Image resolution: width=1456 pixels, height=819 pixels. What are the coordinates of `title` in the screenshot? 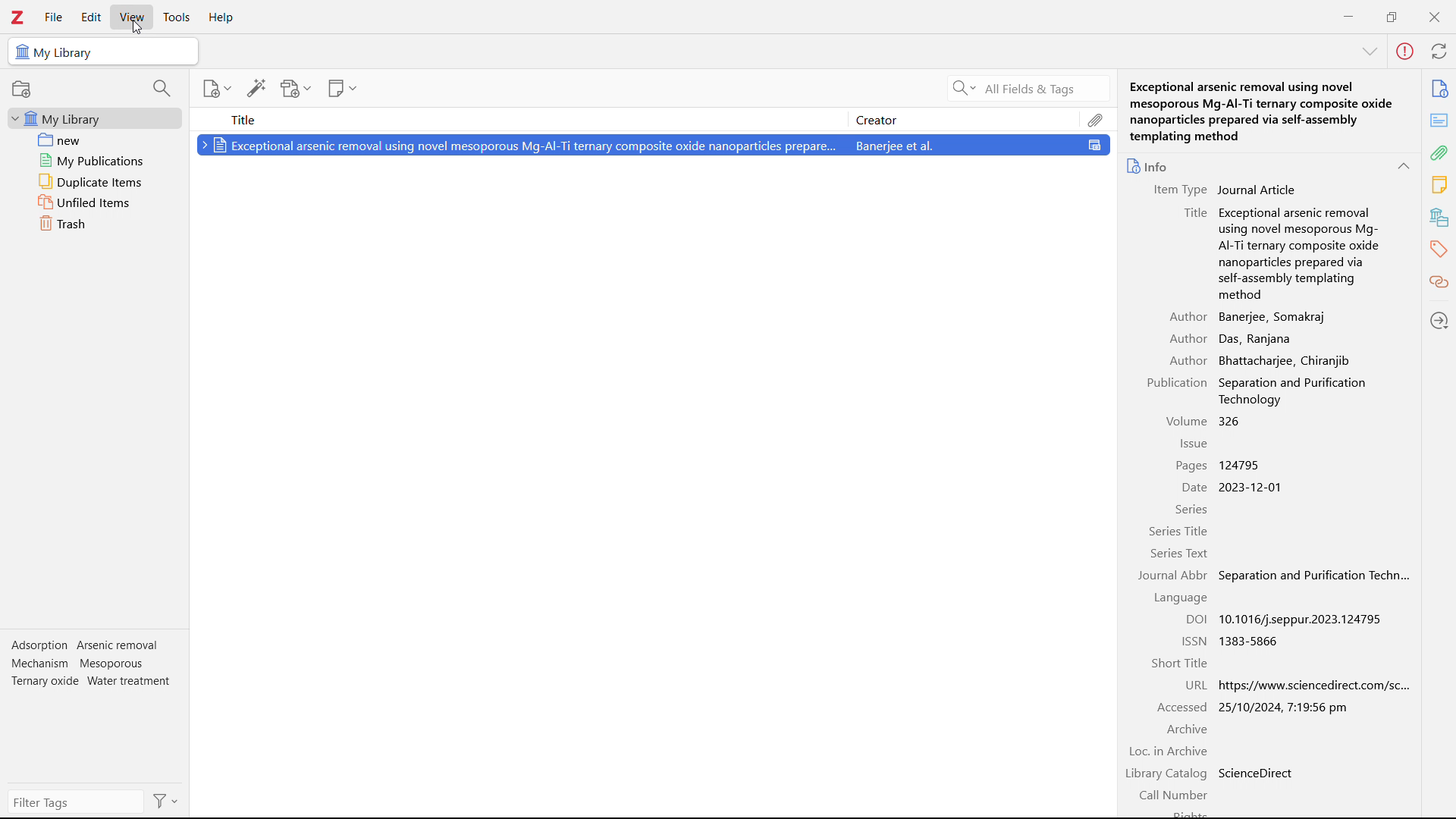 It's located at (520, 118).